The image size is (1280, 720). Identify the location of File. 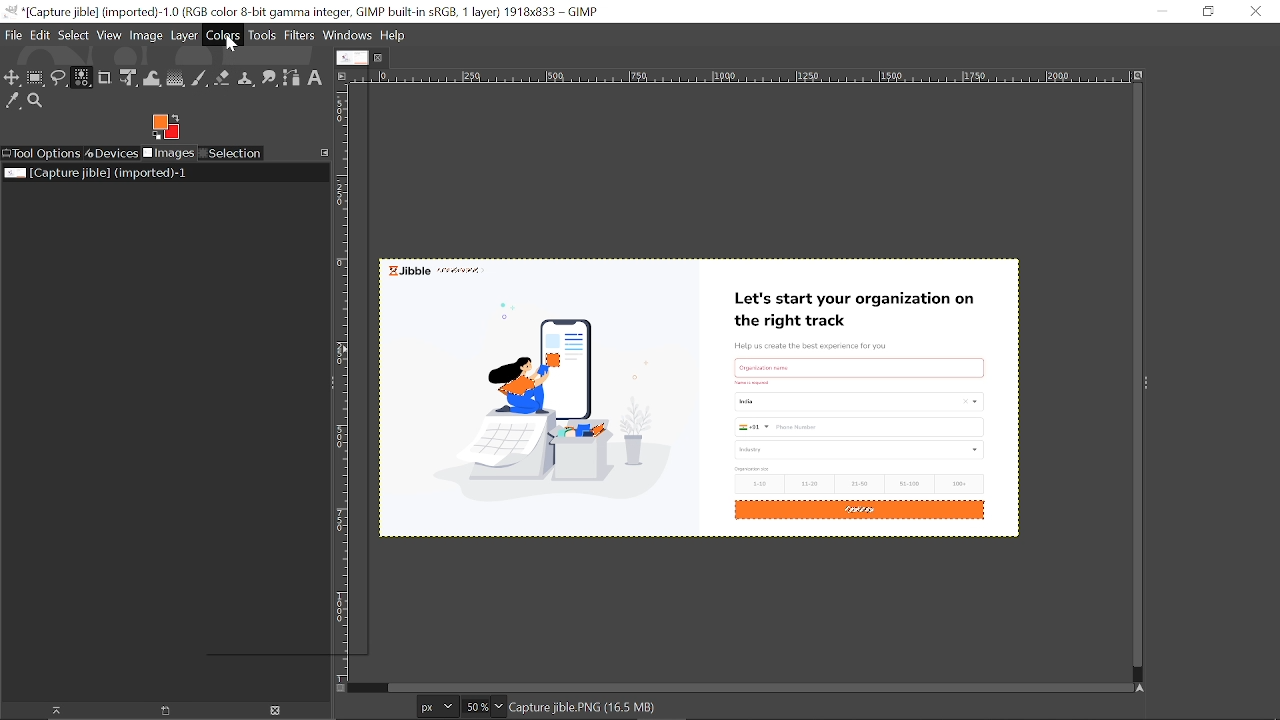
(13, 34).